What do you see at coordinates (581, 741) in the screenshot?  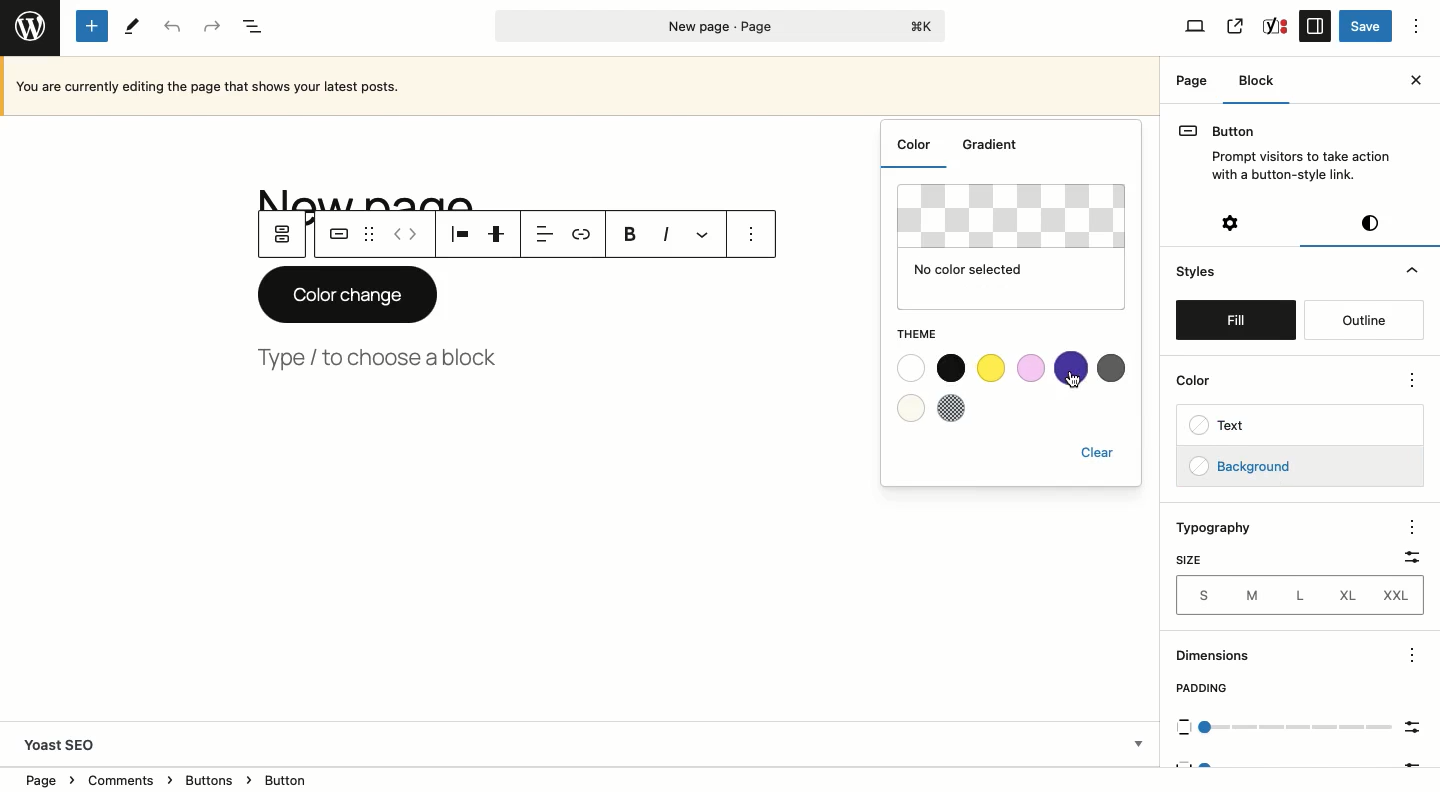 I see `Yoast SEO` at bounding box center [581, 741].